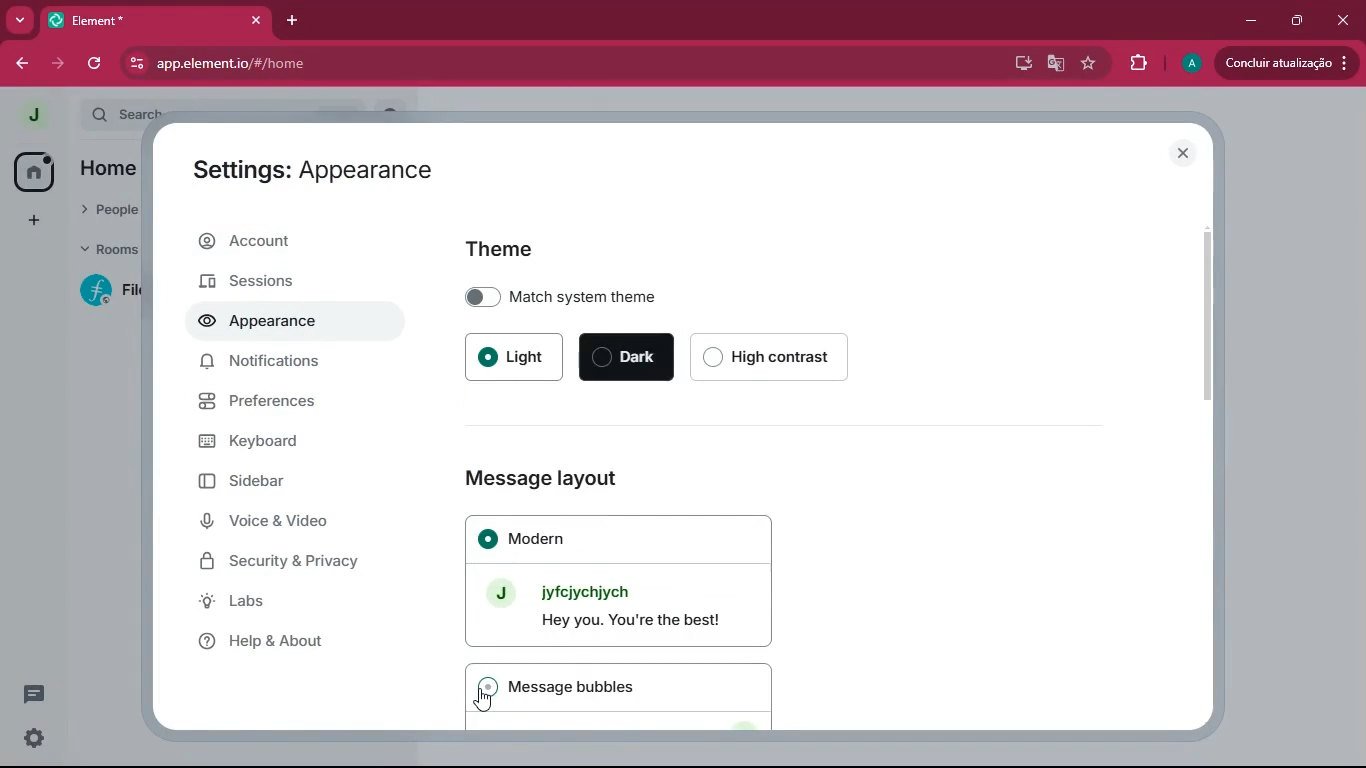 This screenshot has width=1366, height=768. I want to click on scroll bar, so click(1205, 308).